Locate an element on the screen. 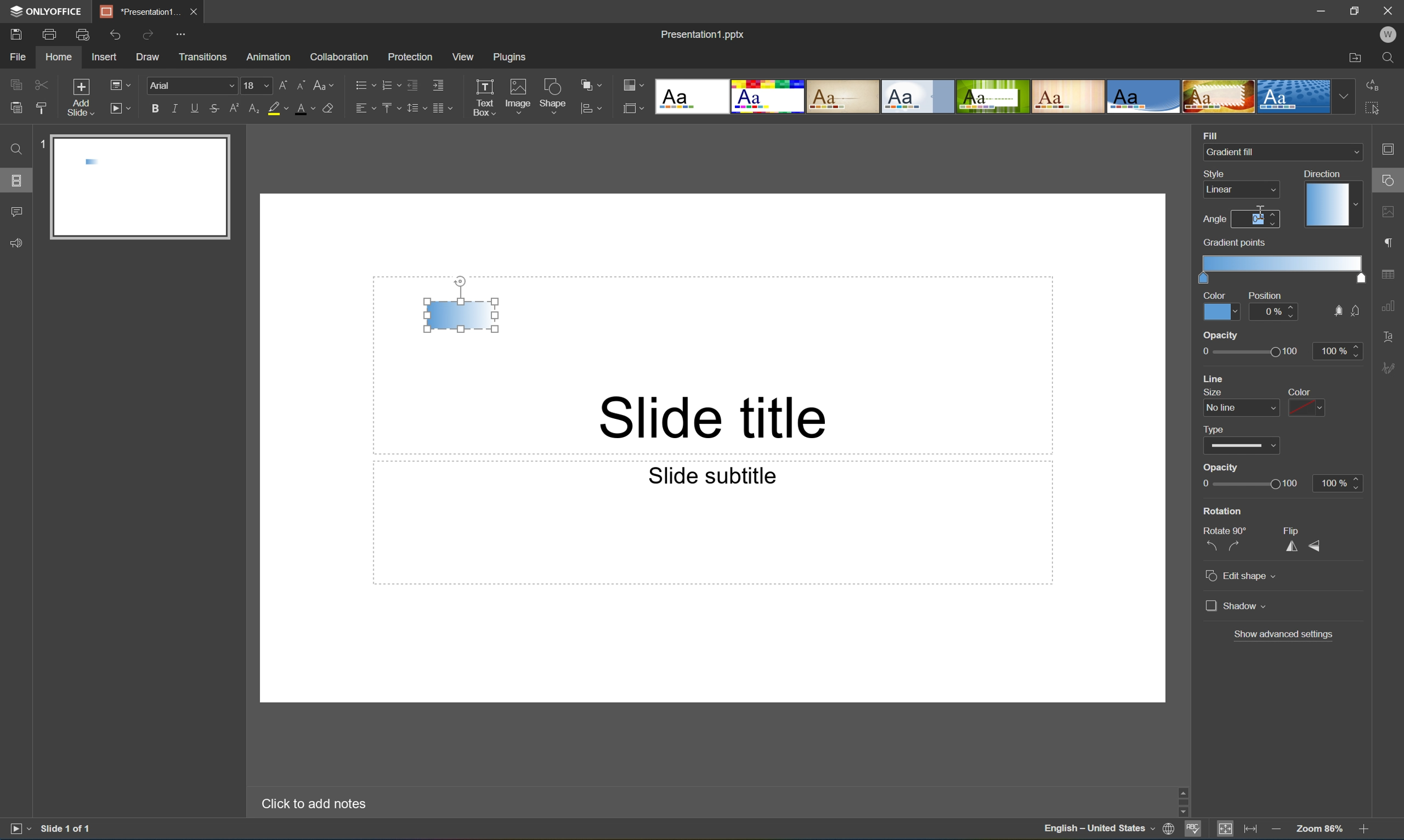 The height and width of the screenshot is (840, 1404). Text Box is located at coordinates (483, 97).